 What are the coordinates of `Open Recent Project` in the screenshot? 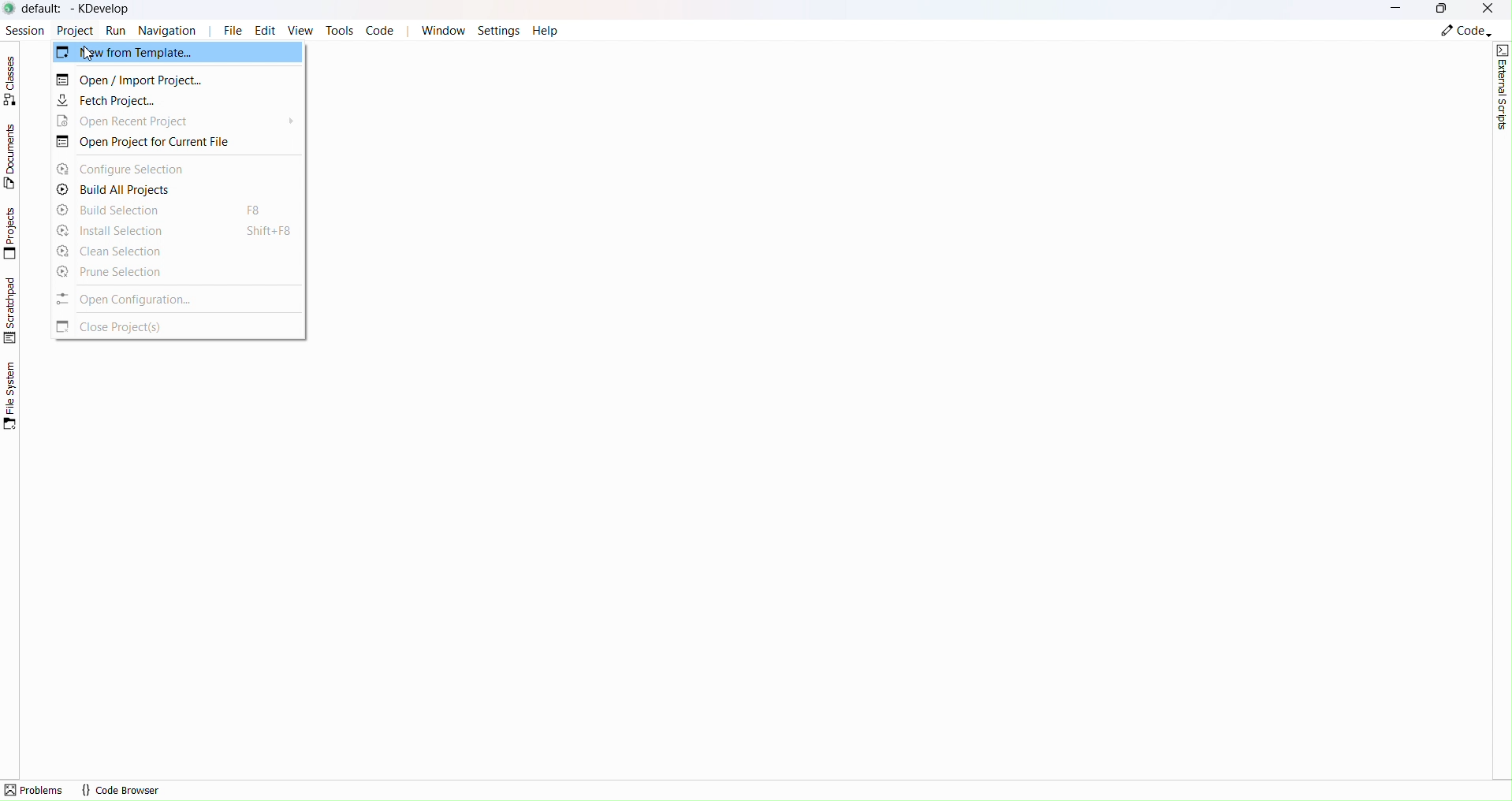 It's located at (147, 121).